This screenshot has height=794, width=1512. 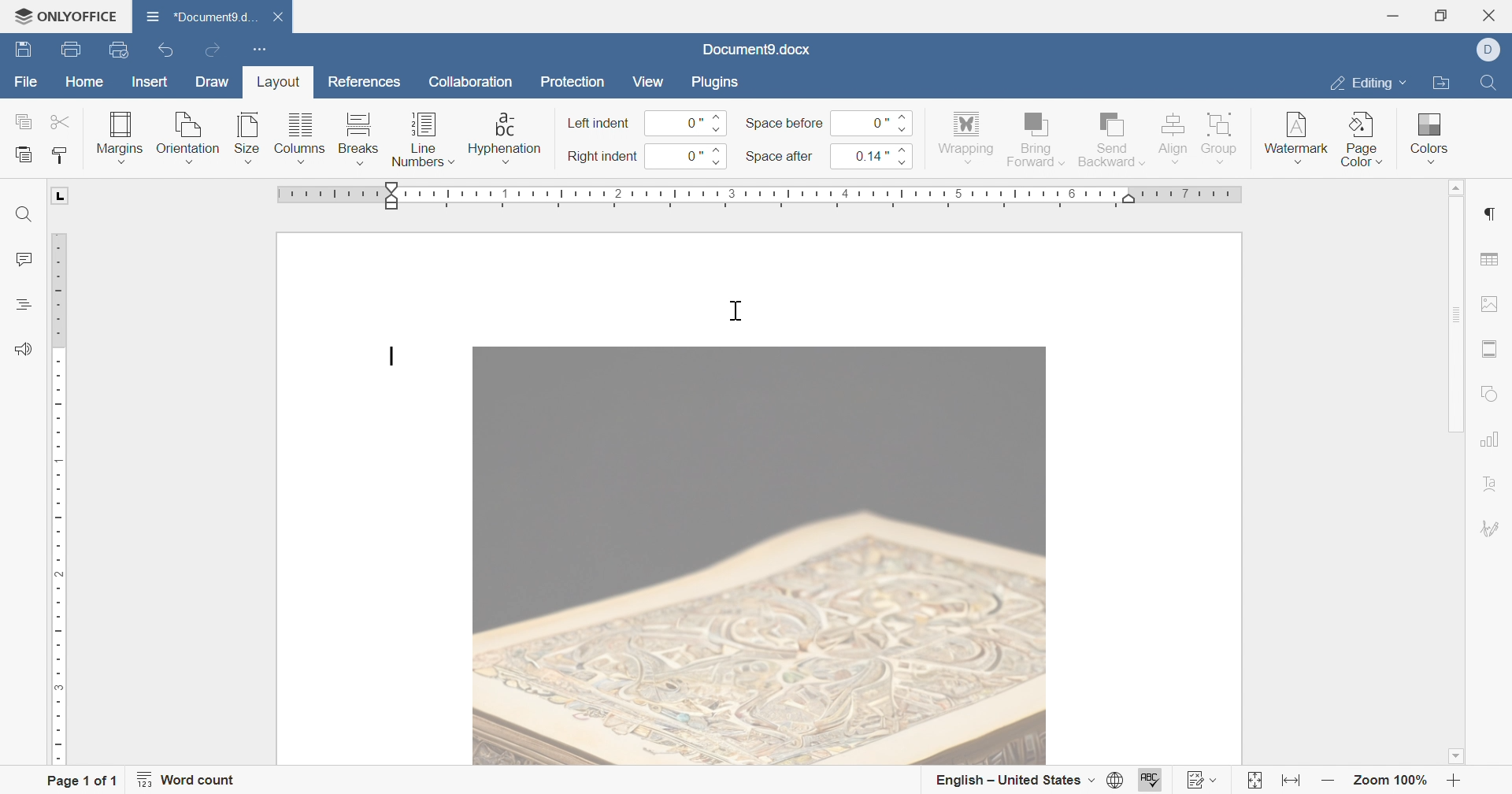 What do you see at coordinates (573, 85) in the screenshot?
I see `protection` at bounding box center [573, 85].